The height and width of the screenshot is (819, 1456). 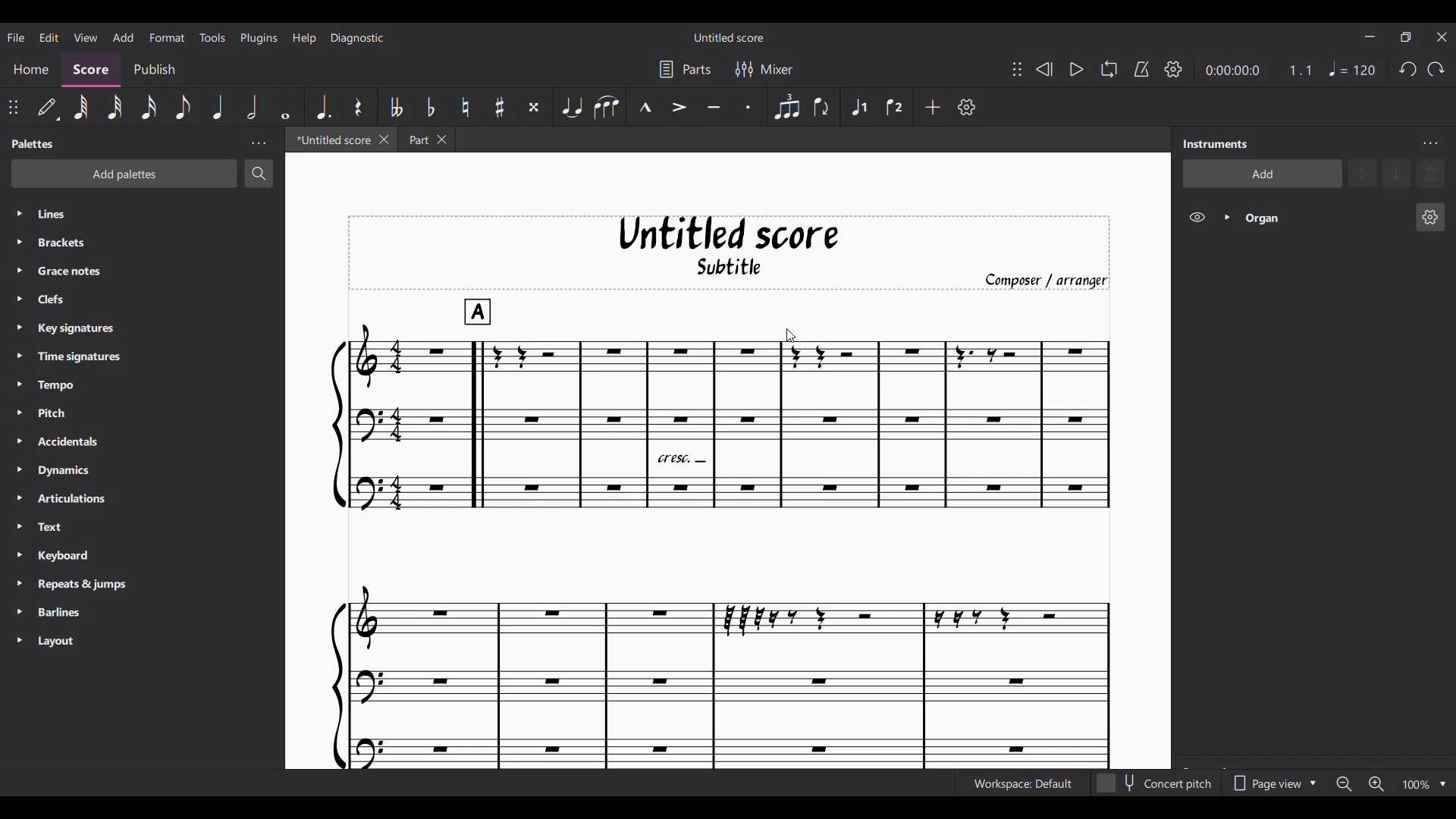 I want to click on Organ instrument, so click(x=1323, y=218).